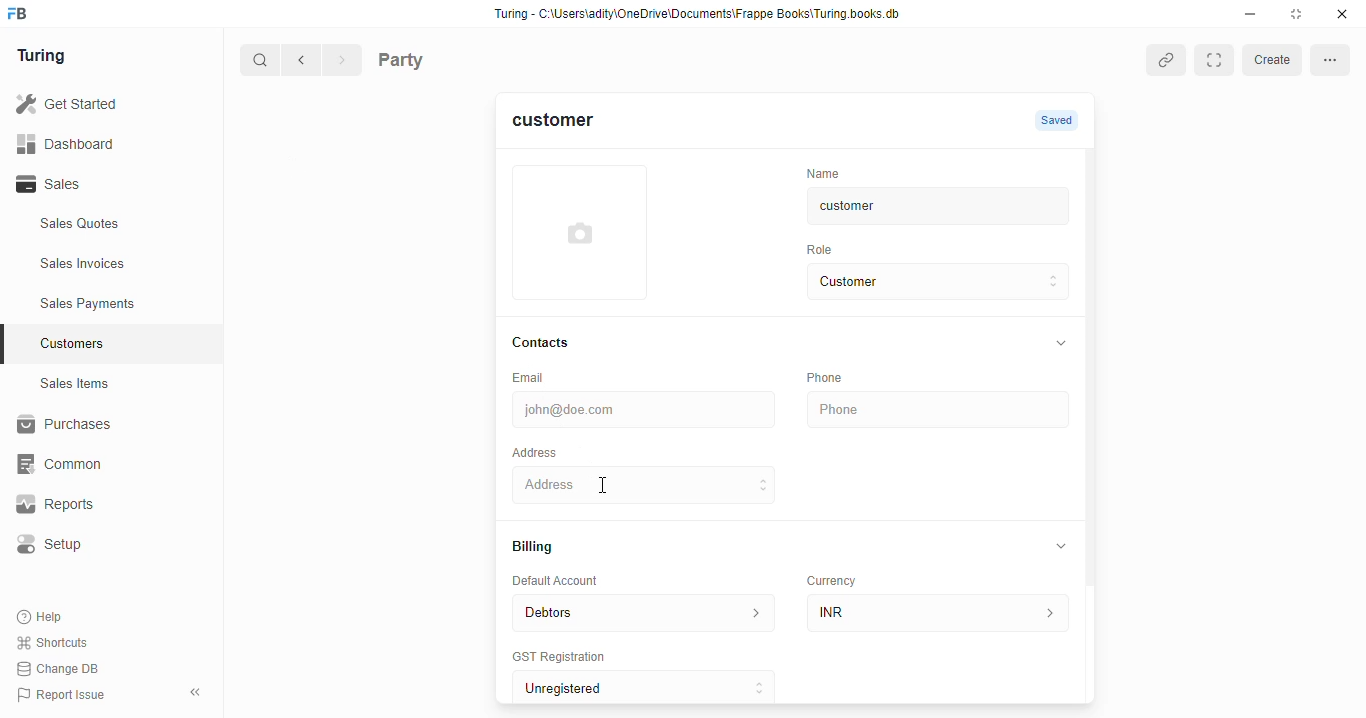 This screenshot has width=1366, height=718. What do you see at coordinates (915, 282) in the screenshot?
I see `Customer` at bounding box center [915, 282].